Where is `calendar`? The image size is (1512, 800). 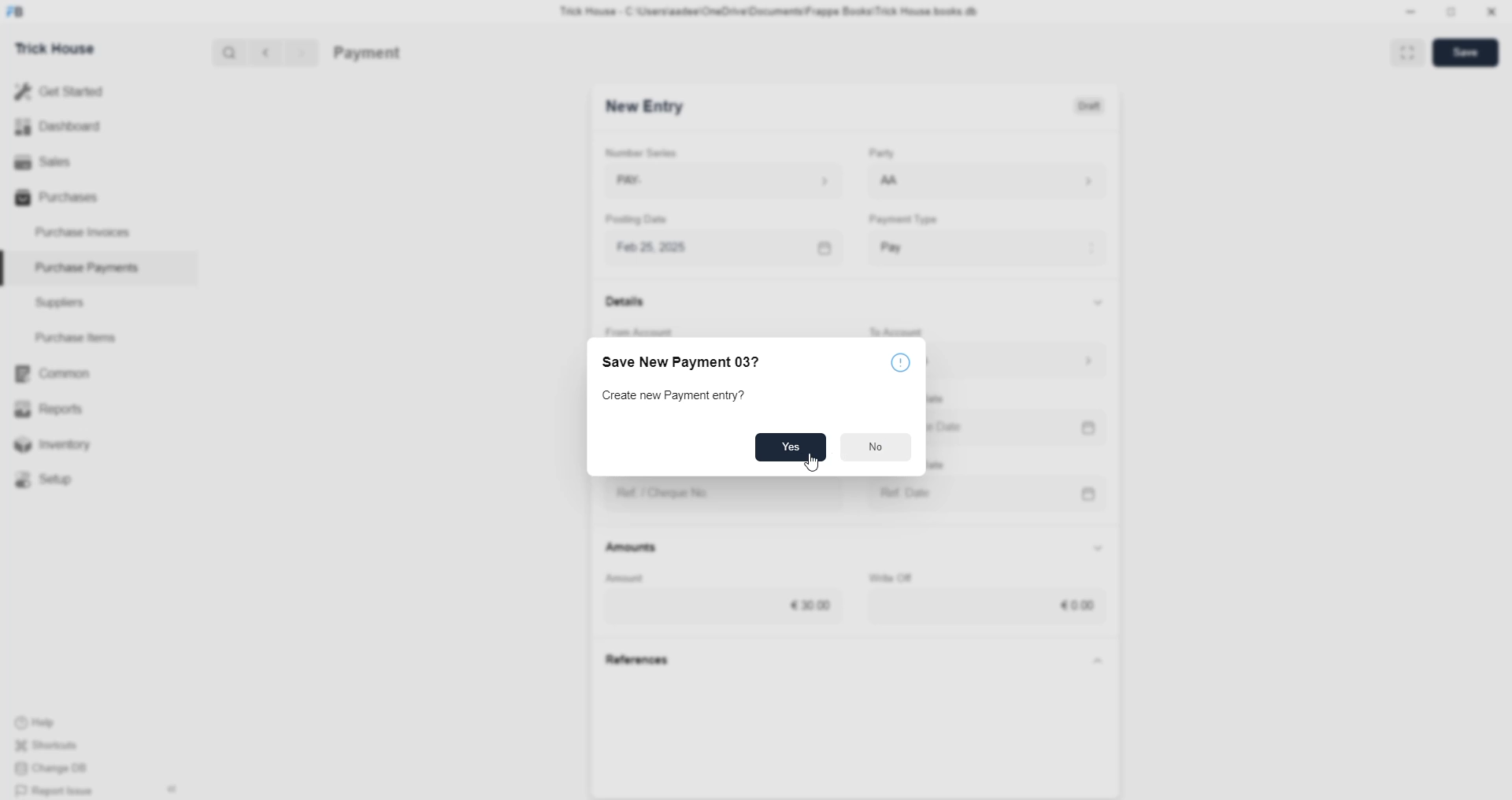
calendar is located at coordinates (1091, 429).